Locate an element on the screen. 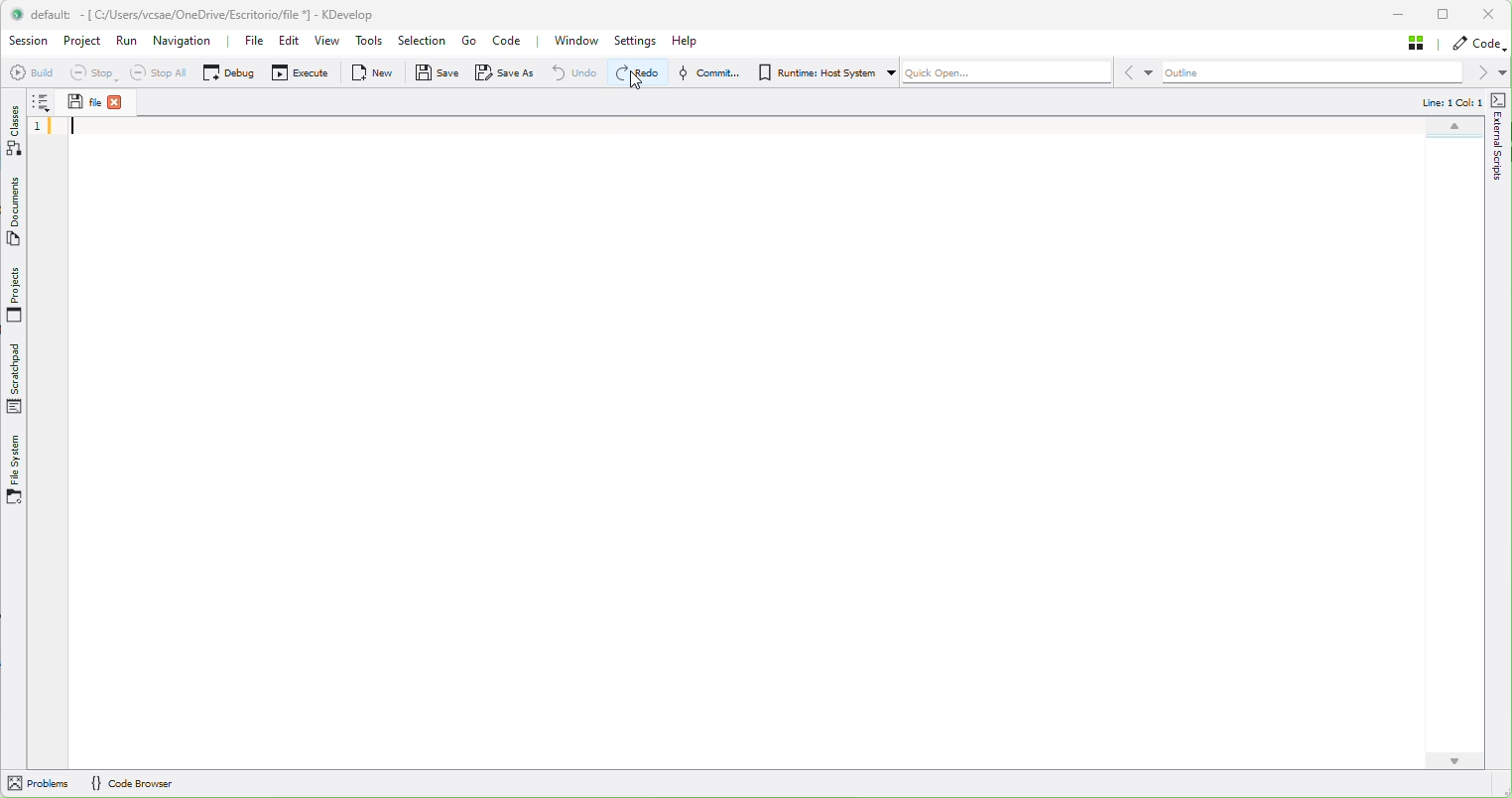  Line: 1 Col: 1 is located at coordinates (1462, 98).